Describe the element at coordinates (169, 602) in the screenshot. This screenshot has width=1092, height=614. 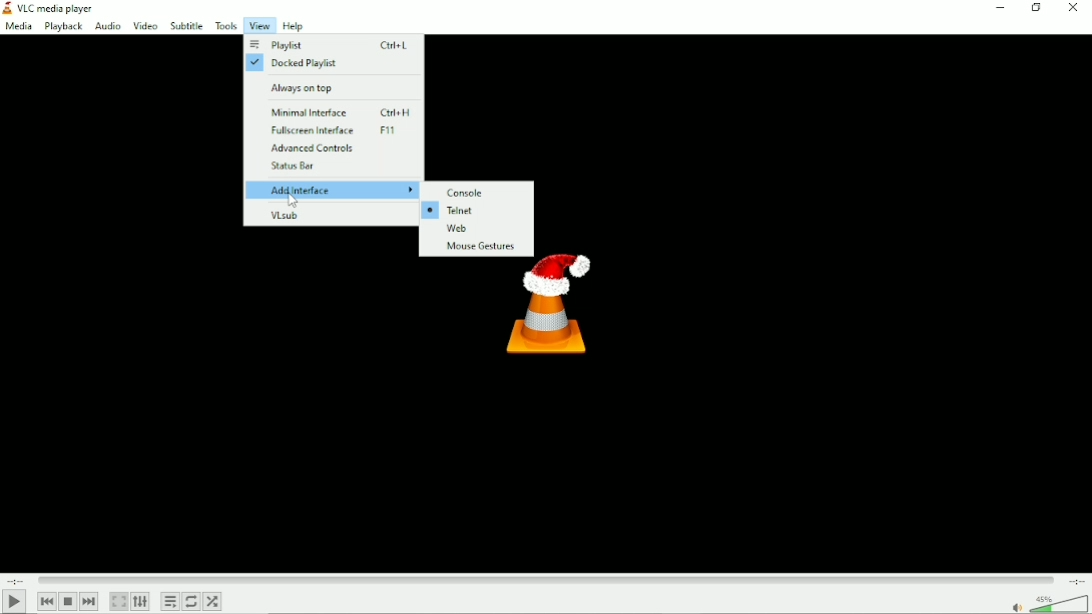
I see `Toggle playlist` at that location.